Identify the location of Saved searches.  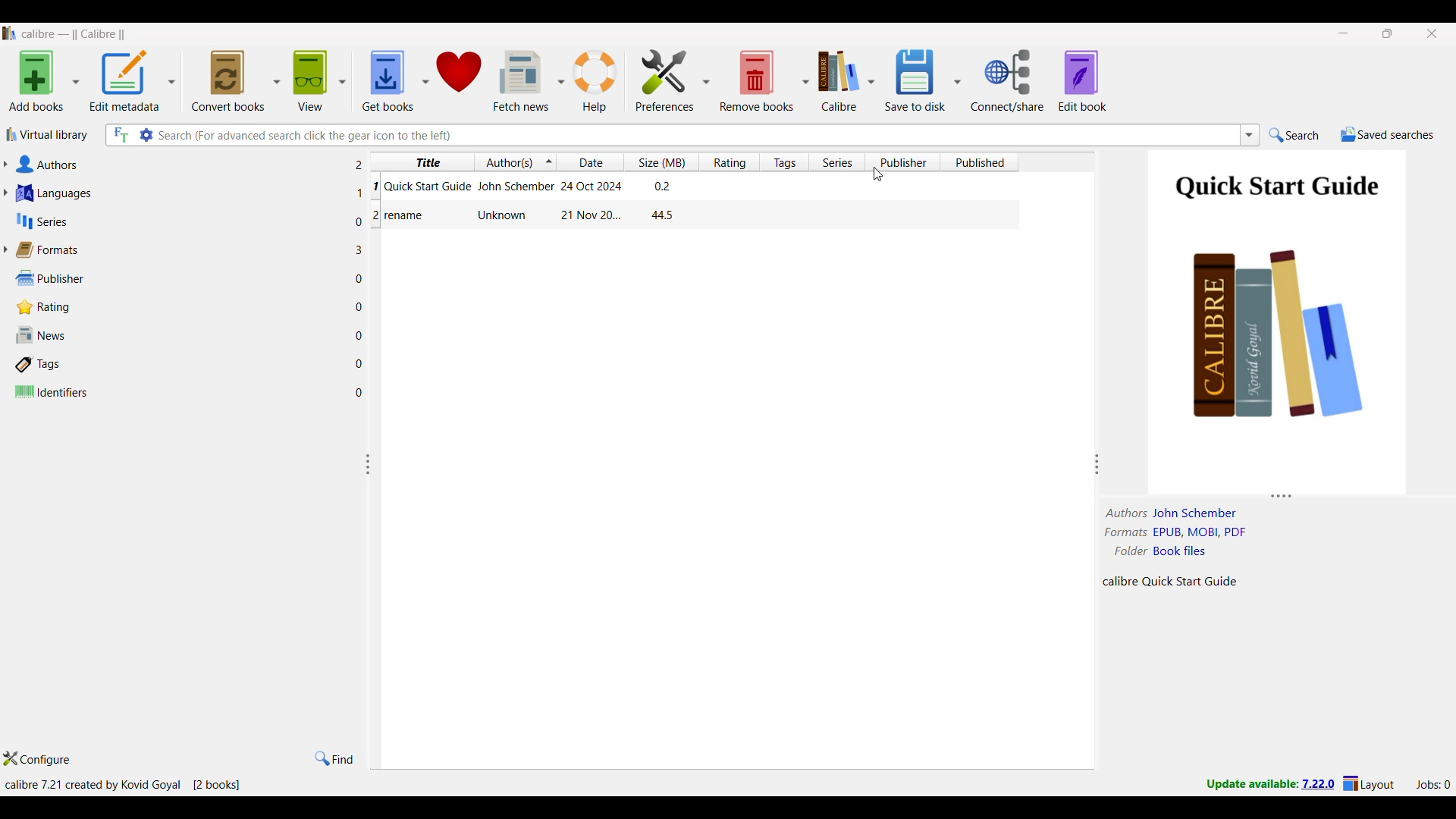
(1387, 134).